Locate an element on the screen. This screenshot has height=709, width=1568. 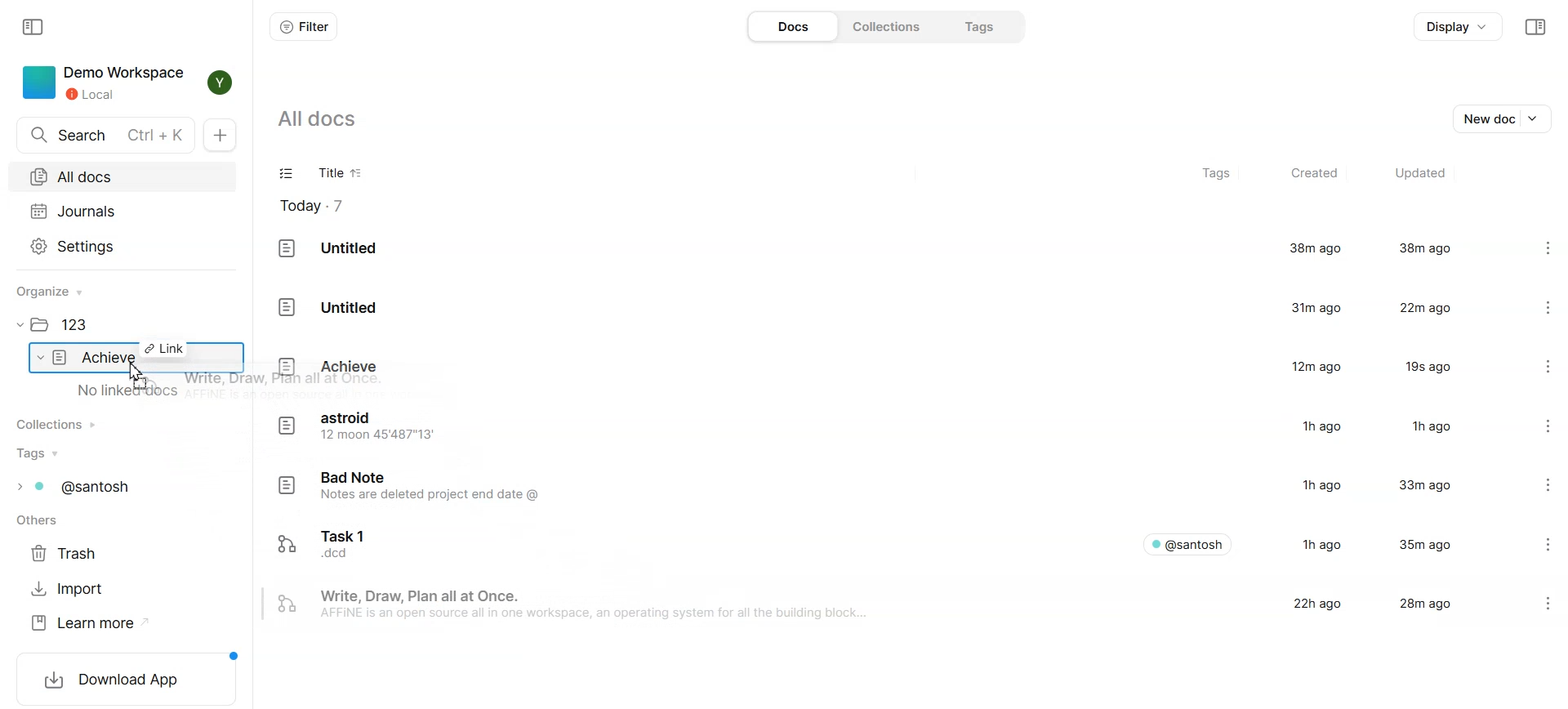
Settings is located at coordinates (1535, 542).